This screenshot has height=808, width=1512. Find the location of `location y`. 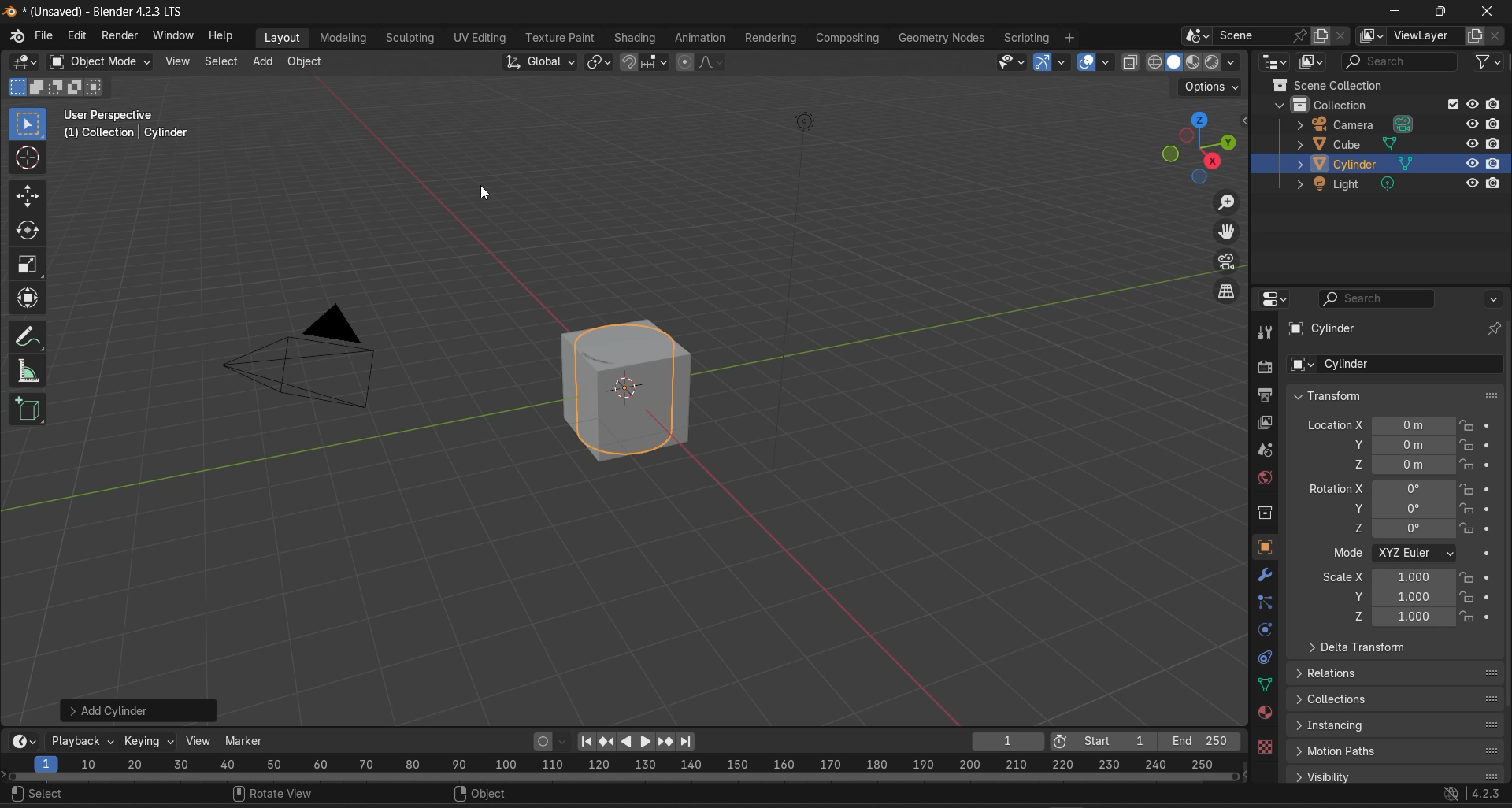

location y is located at coordinates (1403, 444).